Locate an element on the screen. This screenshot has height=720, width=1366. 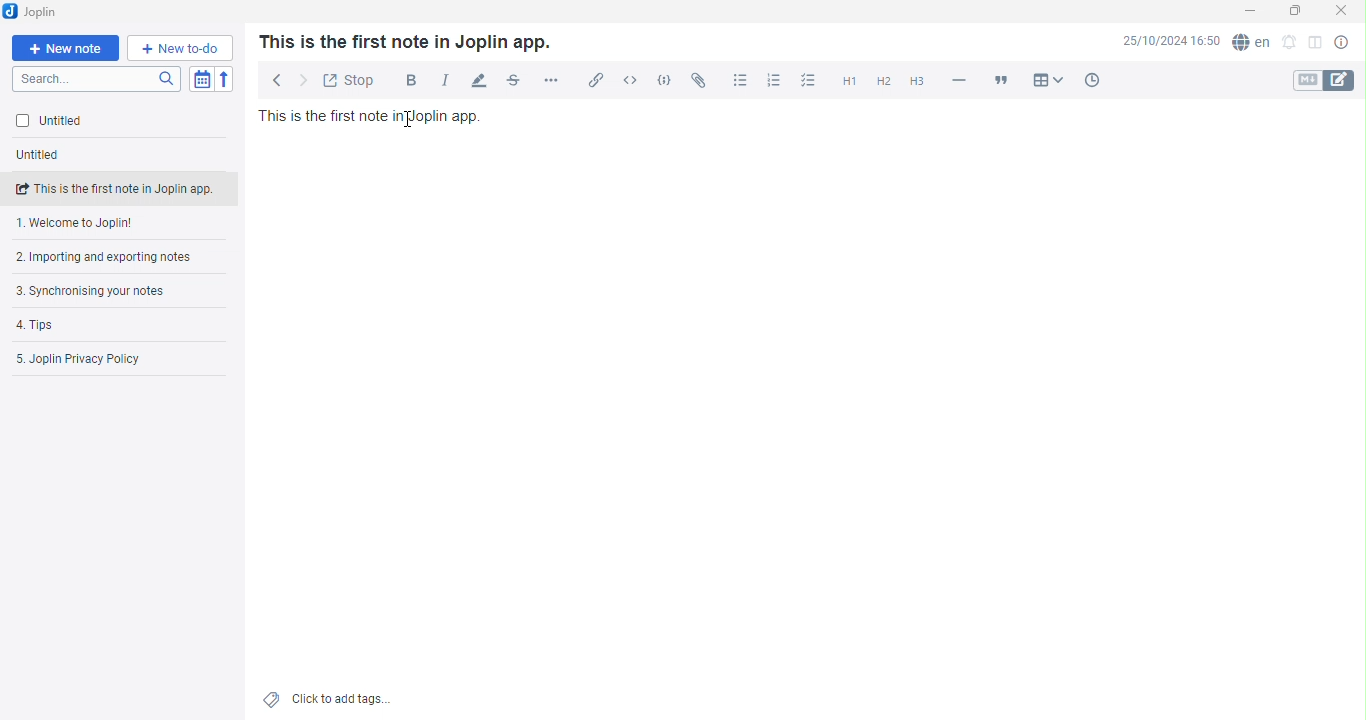
New to-do is located at coordinates (178, 48).